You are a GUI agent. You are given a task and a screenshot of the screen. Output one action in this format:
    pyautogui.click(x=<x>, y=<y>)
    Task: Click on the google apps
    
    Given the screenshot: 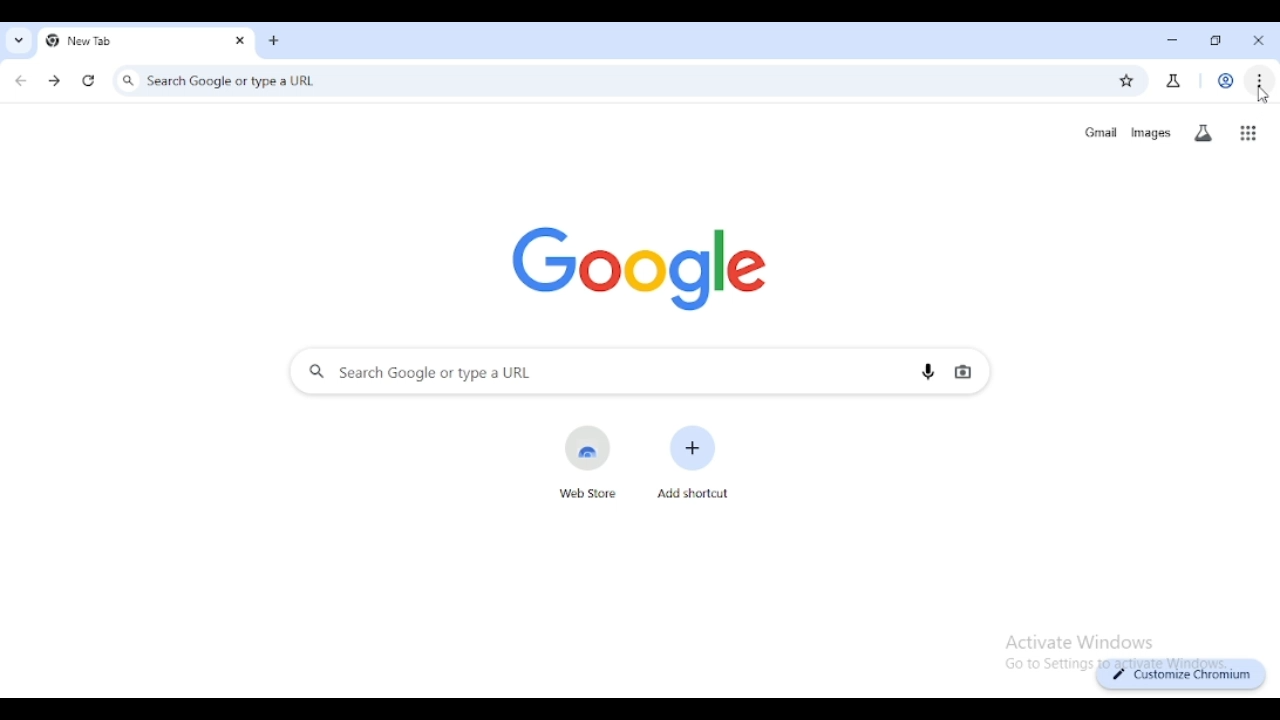 What is the action you would take?
    pyautogui.click(x=1249, y=133)
    